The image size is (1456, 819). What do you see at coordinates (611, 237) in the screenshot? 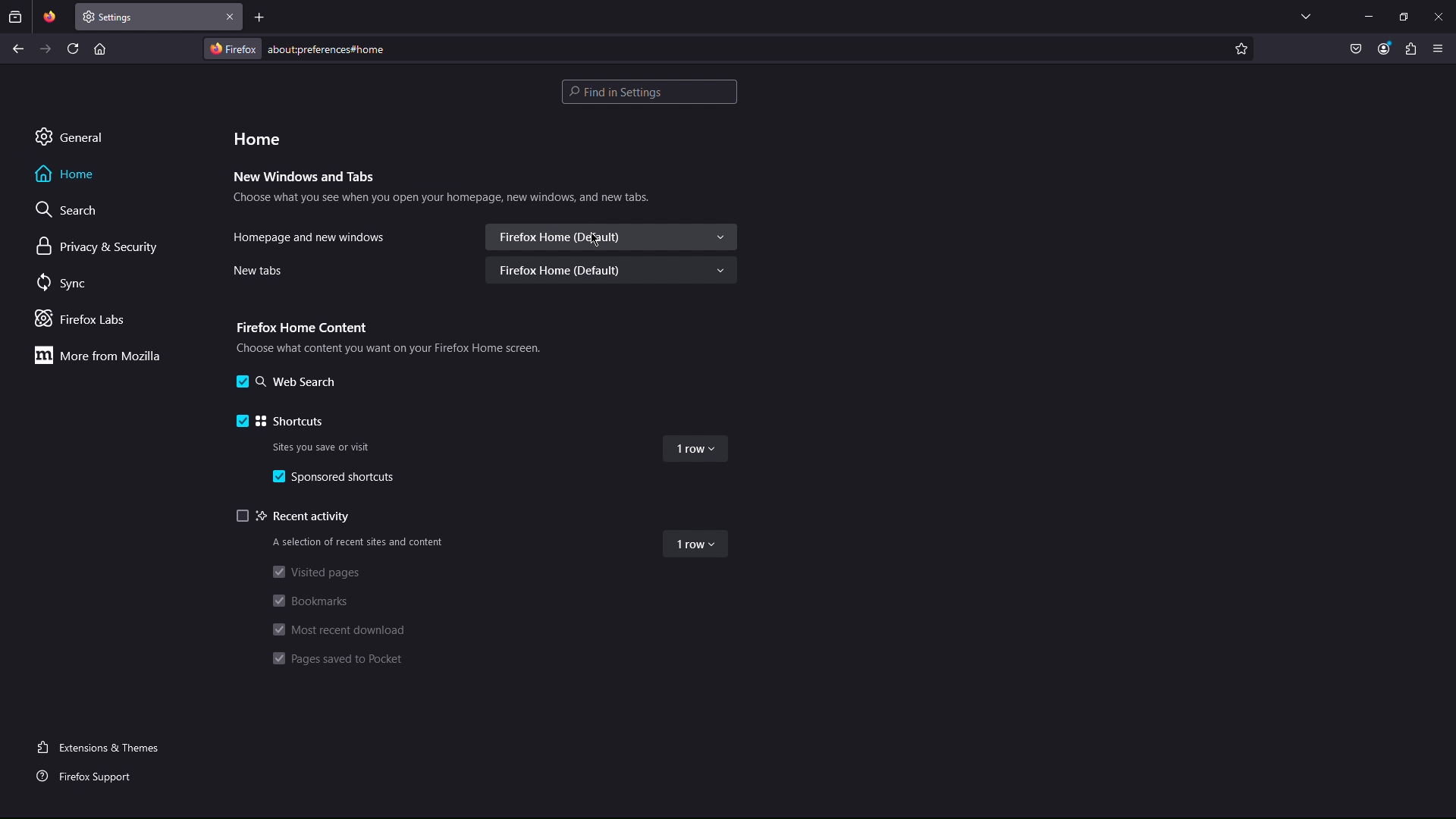
I see `Firefox Home (Default)` at bounding box center [611, 237].